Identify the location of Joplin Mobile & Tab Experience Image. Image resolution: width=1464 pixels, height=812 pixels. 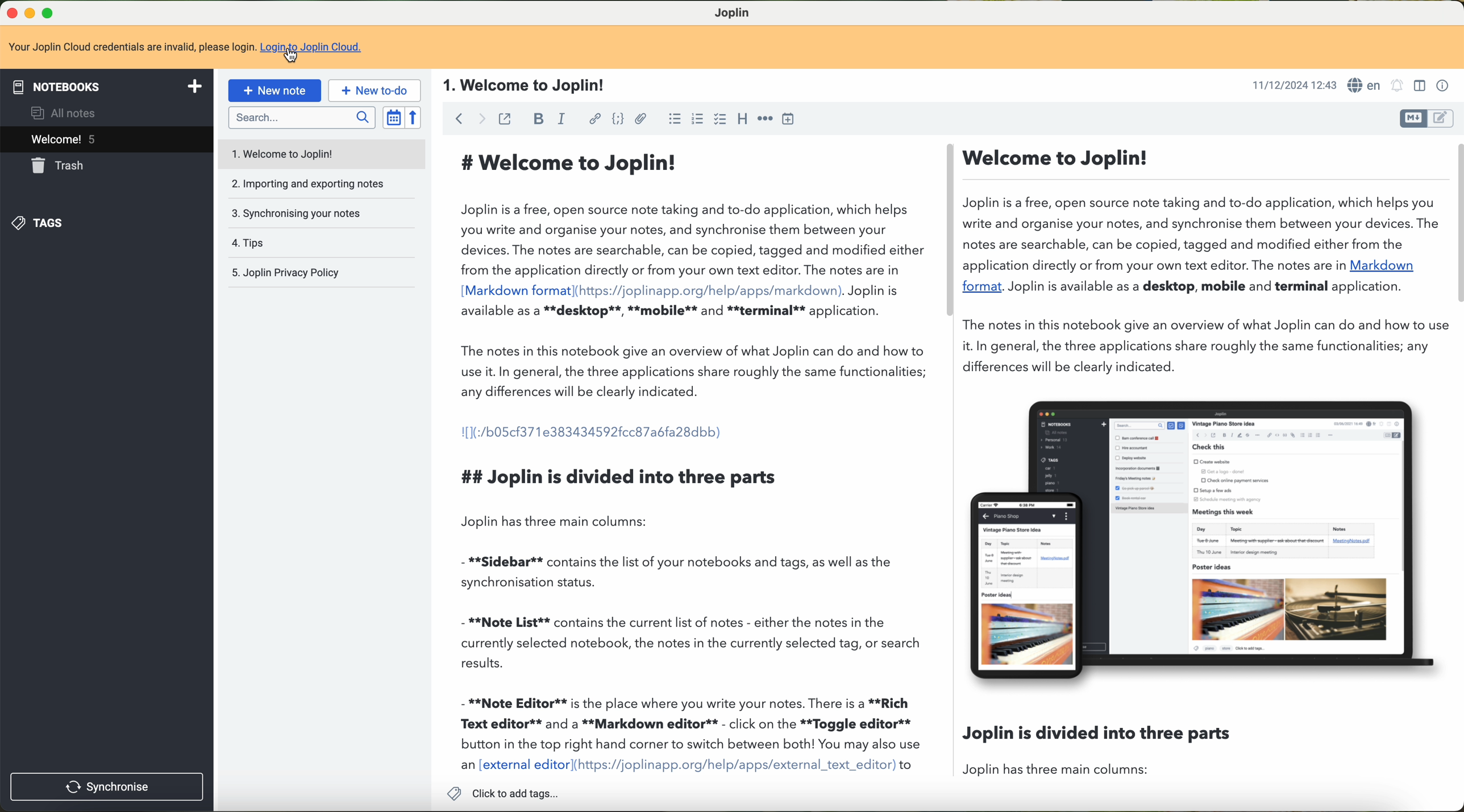
(1204, 542).